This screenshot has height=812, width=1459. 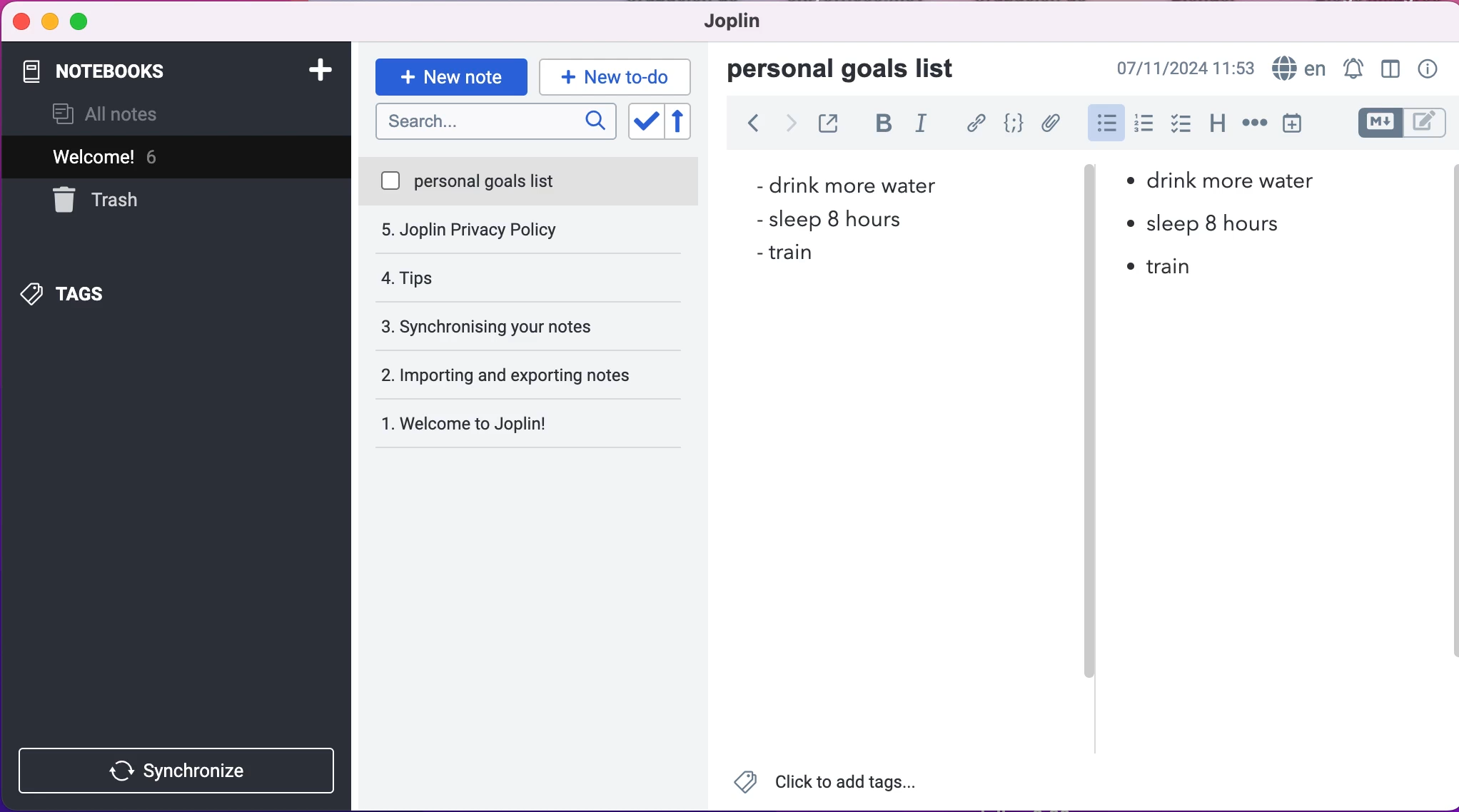 What do you see at coordinates (323, 73) in the screenshot?
I see `add notebook` at bounding box center [323, 73].